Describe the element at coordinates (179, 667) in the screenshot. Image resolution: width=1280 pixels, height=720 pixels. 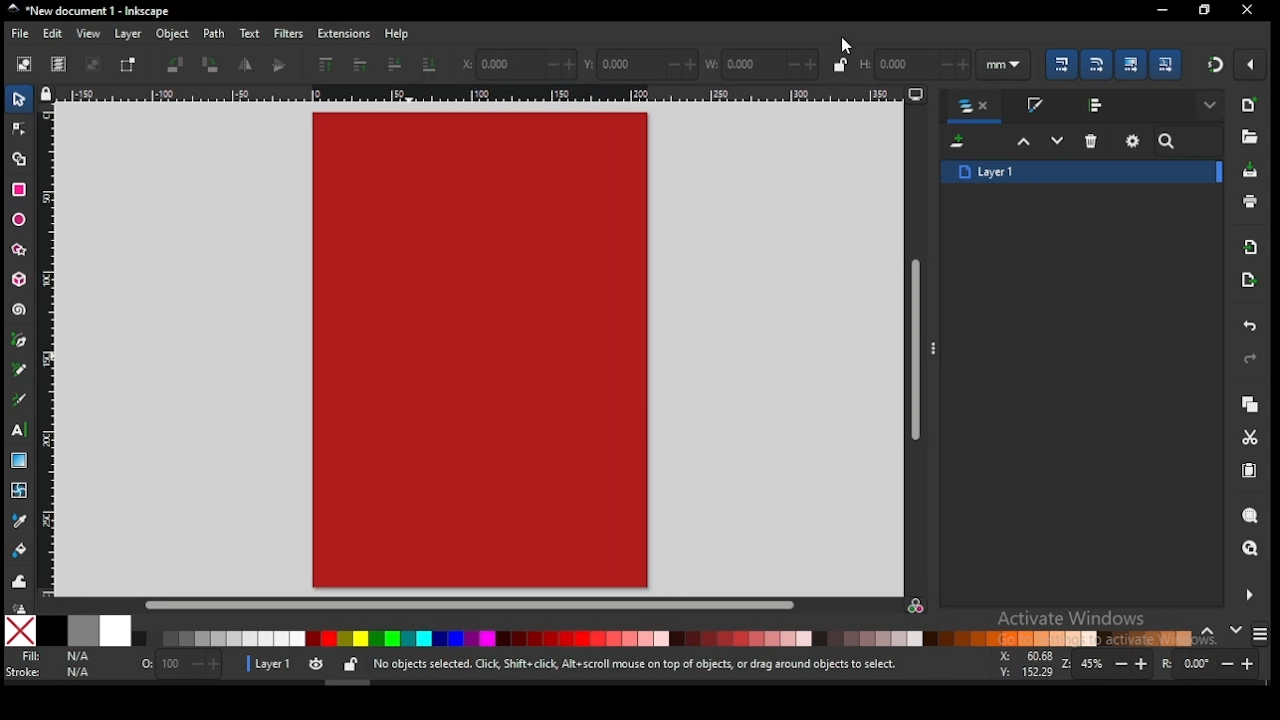
I see `opacity` at that location.